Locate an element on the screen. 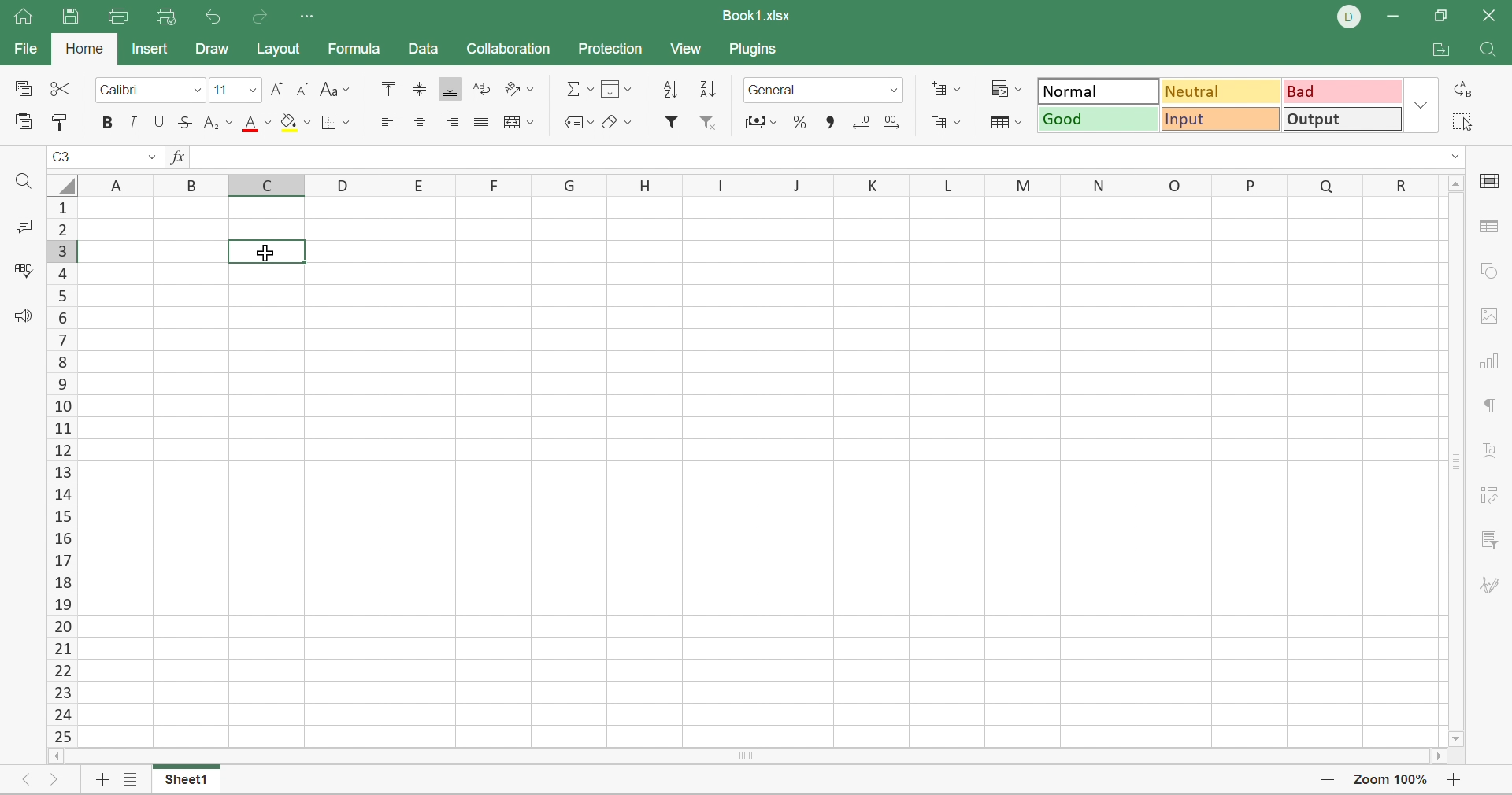 Image resolution: width=1512 pixels, height=795 pixels. chart settings is located at coordinates (1491, 362).